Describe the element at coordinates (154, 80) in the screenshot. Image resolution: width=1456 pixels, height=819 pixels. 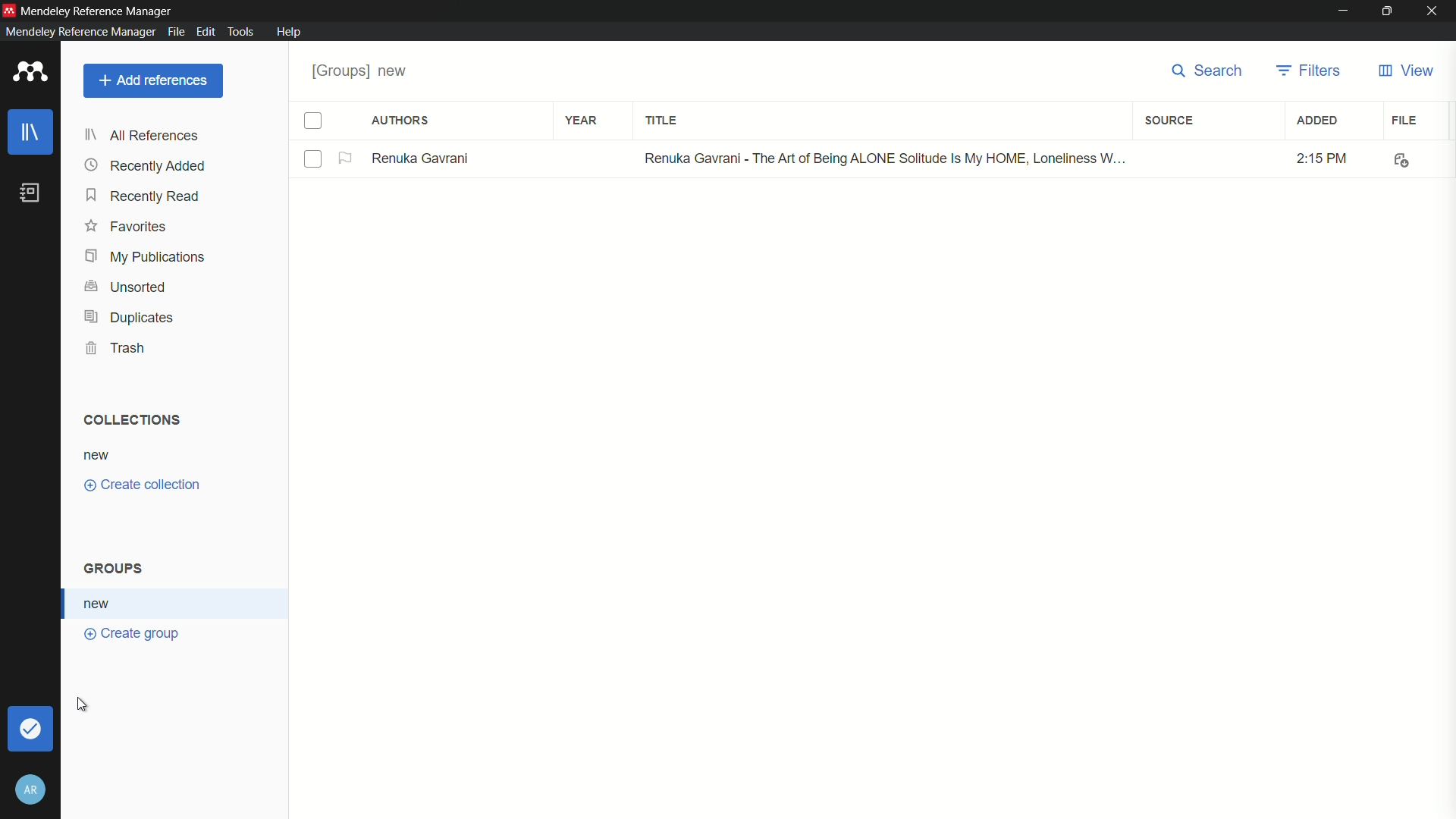
I see `add references` at that location.